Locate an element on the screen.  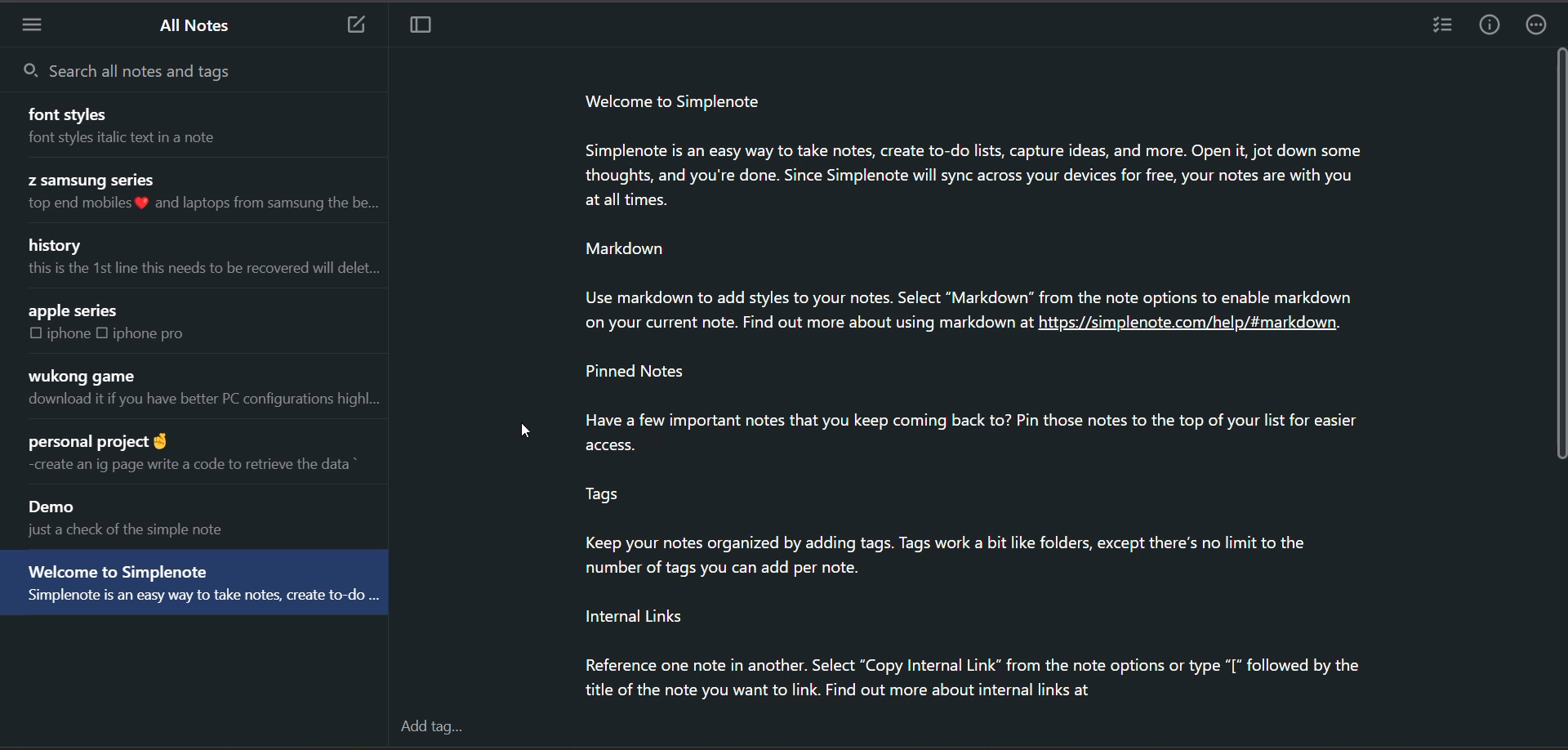
actions is located at coordinates (1536, 25).